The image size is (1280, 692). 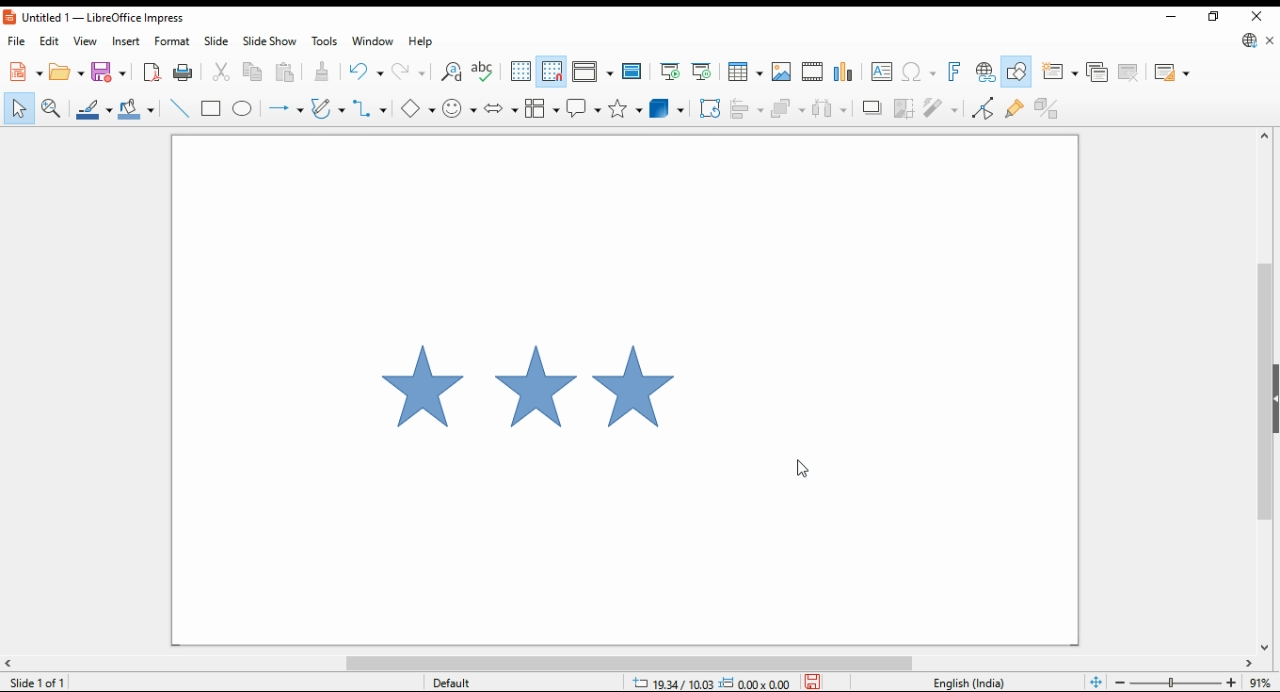 I want to click on fit page to window, so click(x=1097, y=681).